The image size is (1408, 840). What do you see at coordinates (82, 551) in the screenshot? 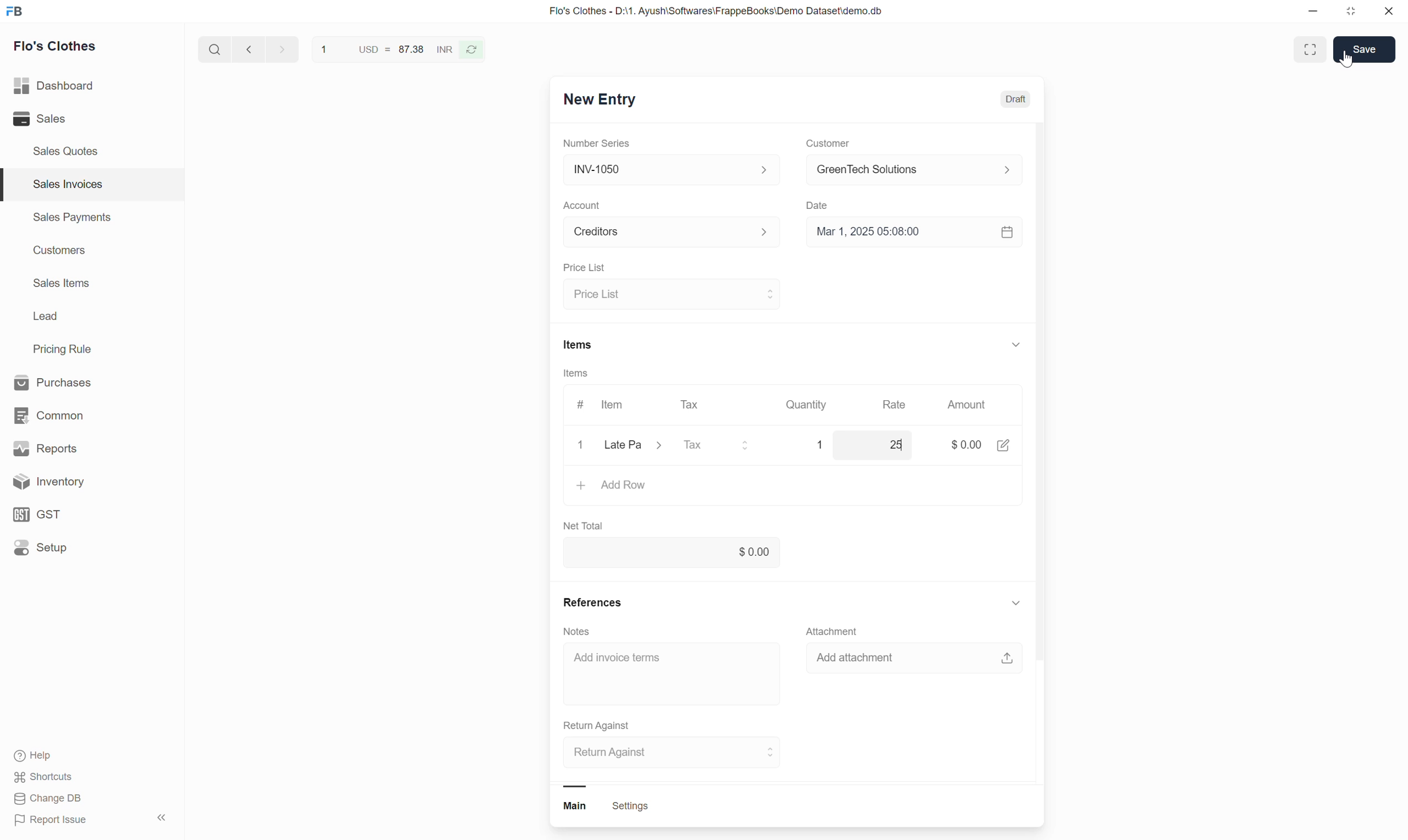
I see `Setup` at bounding box center [82, 551].